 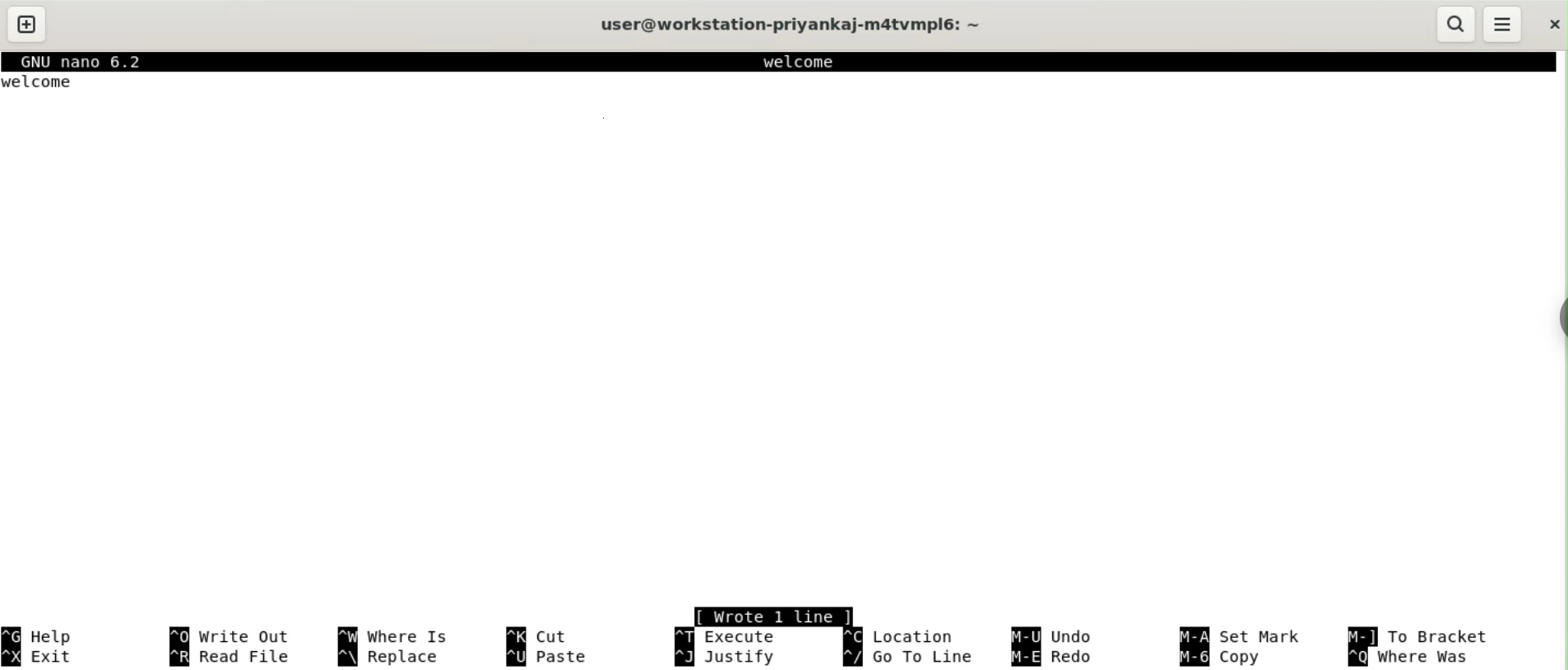 What do you see at coordinates (1226, 658) in the screenshot?
I see `copy` at bounding box center [1226, 658].